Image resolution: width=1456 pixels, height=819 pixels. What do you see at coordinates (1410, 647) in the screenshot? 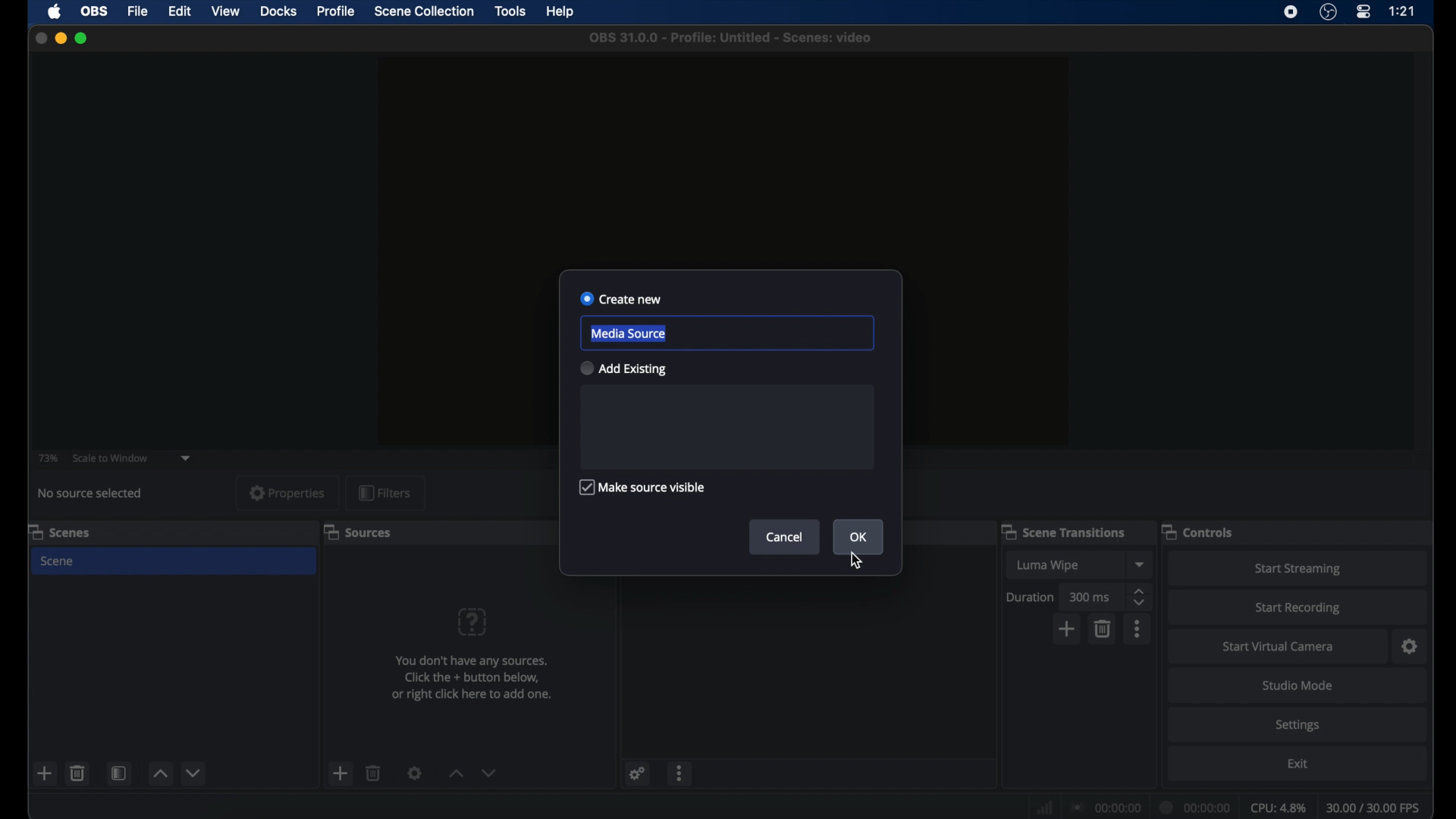
I see `settings` at bounding box center [1410, 647].